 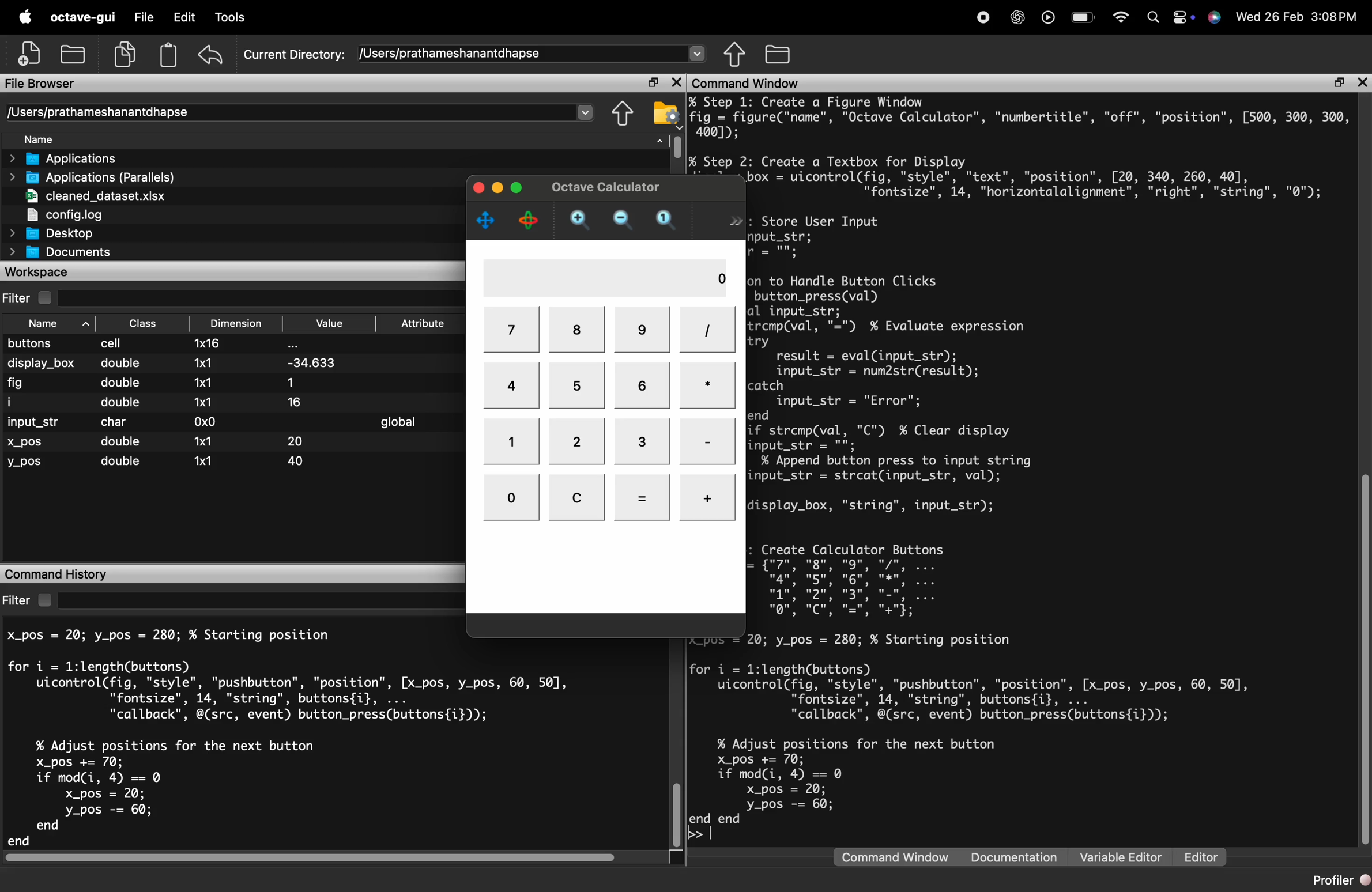 What do you see at coordinates (167, 55) in the screenshot?
I see `paste` at bounding box center [167, 55].